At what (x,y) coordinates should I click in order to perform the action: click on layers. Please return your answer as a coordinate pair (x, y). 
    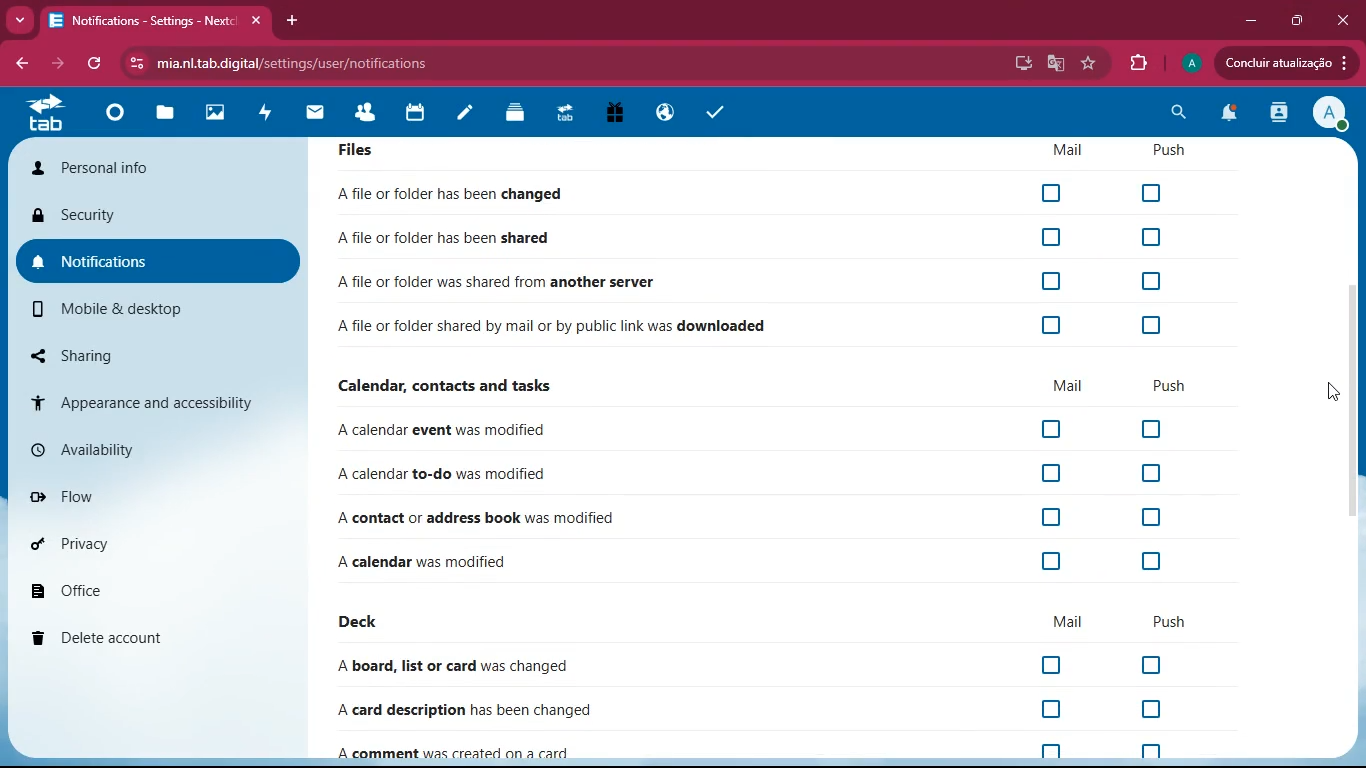
    Looking at the image, I should click on (519, 113).